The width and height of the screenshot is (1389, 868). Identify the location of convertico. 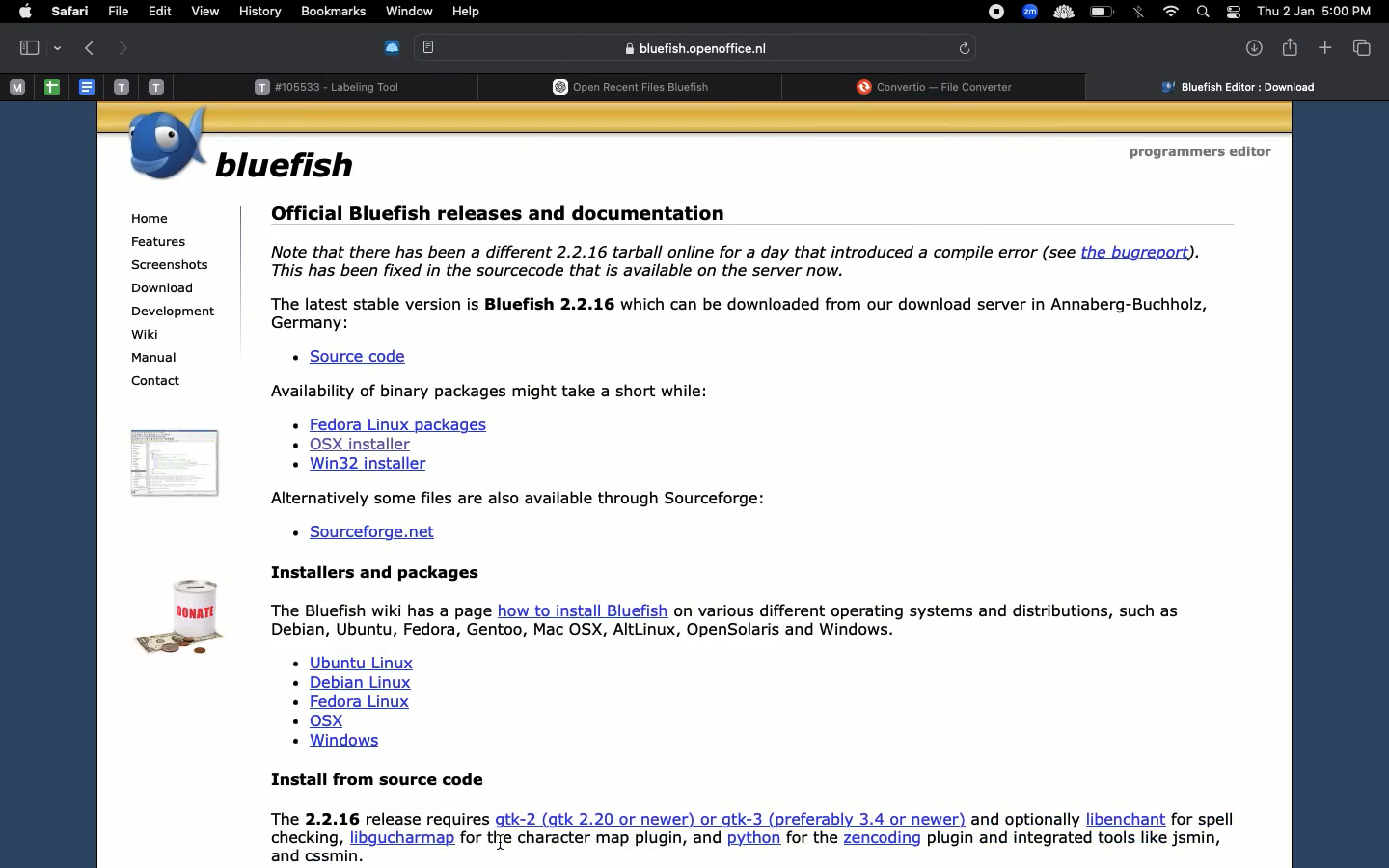
(944, 87).